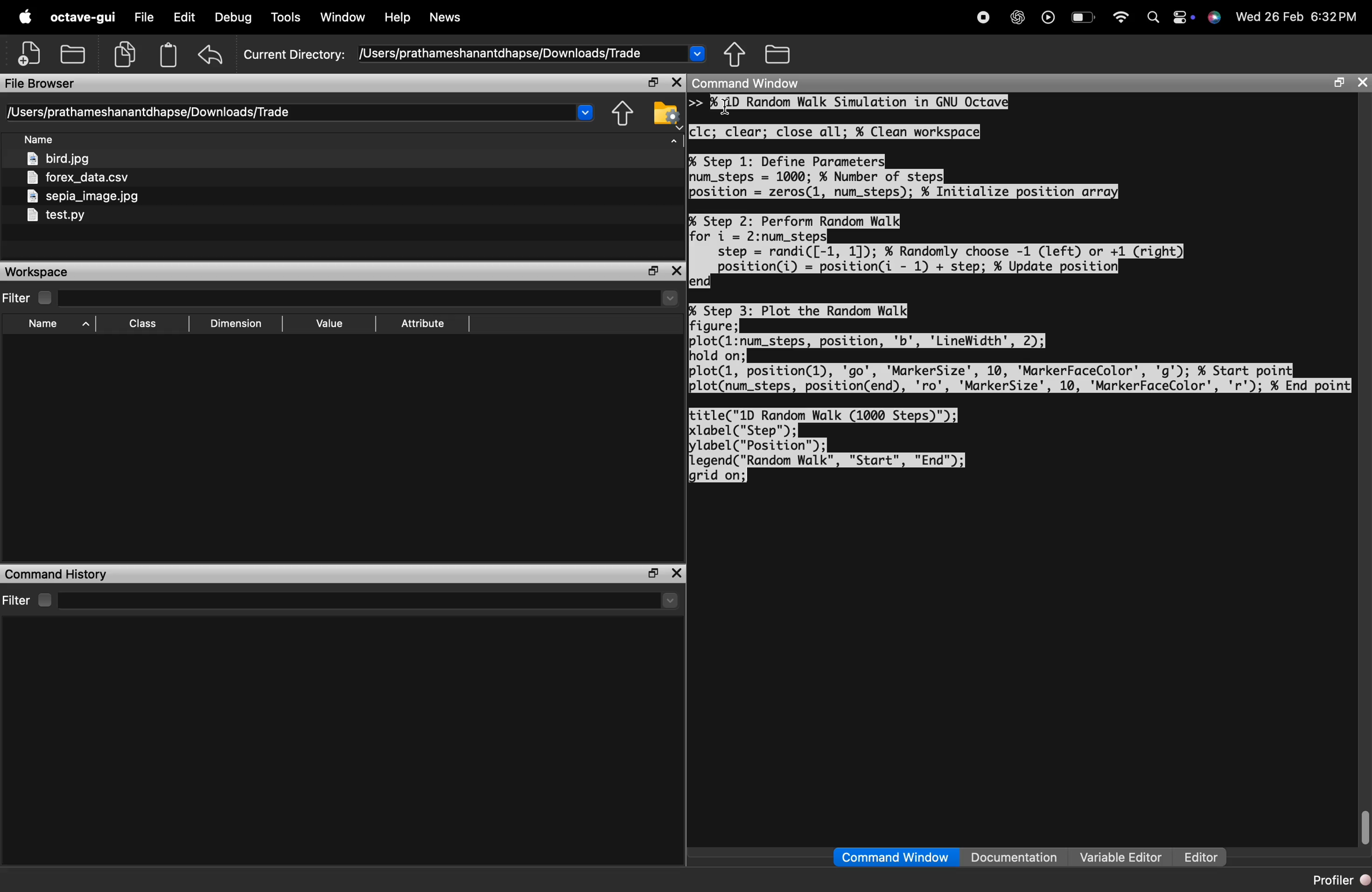 The image size is (1372, 892). Describe the element at coordinates (1014, 858) in the screenshot. I see `documentation` at that location.